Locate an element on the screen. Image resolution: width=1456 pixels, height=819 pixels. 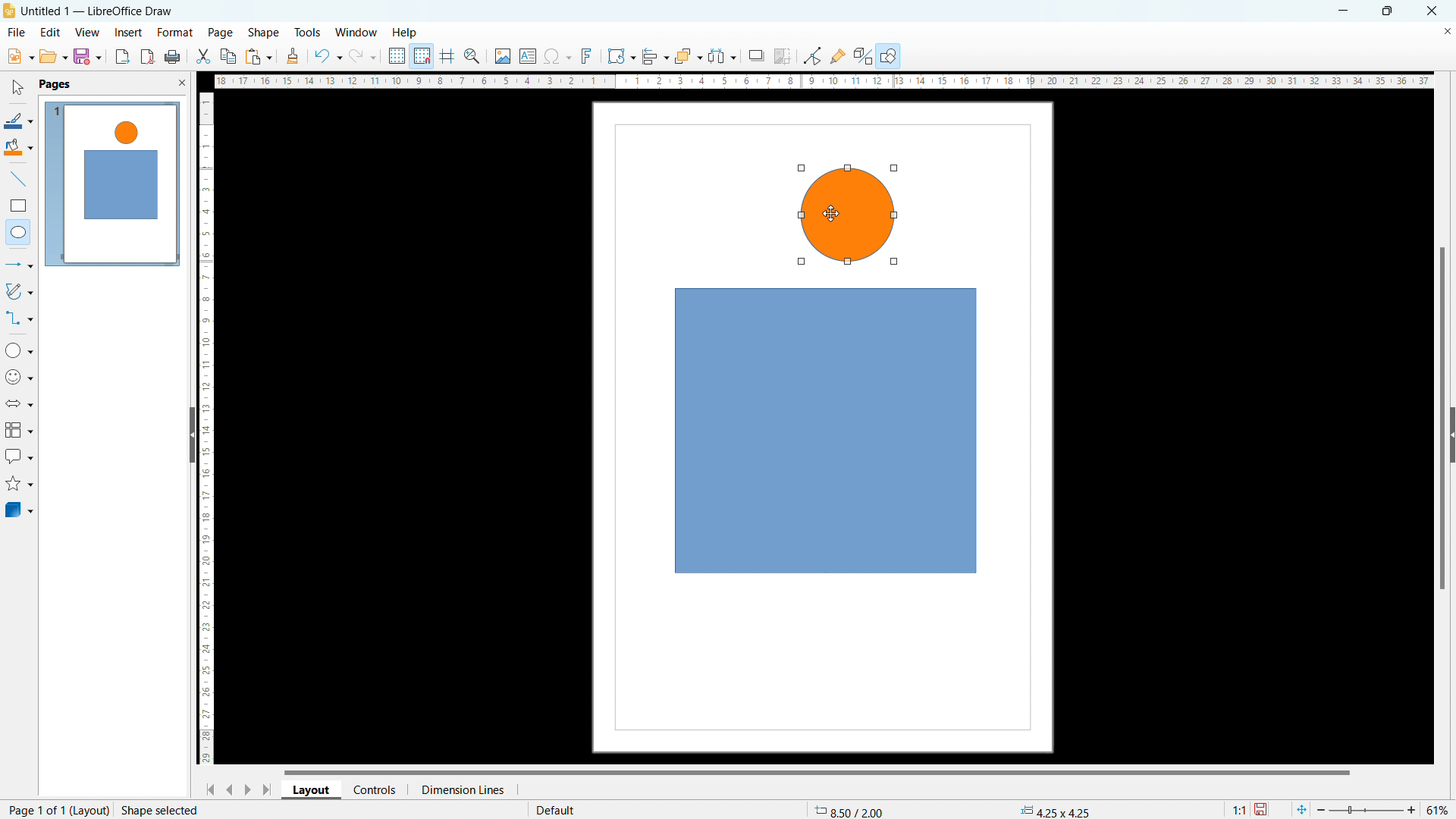
export is located at coordinates (123, 56).